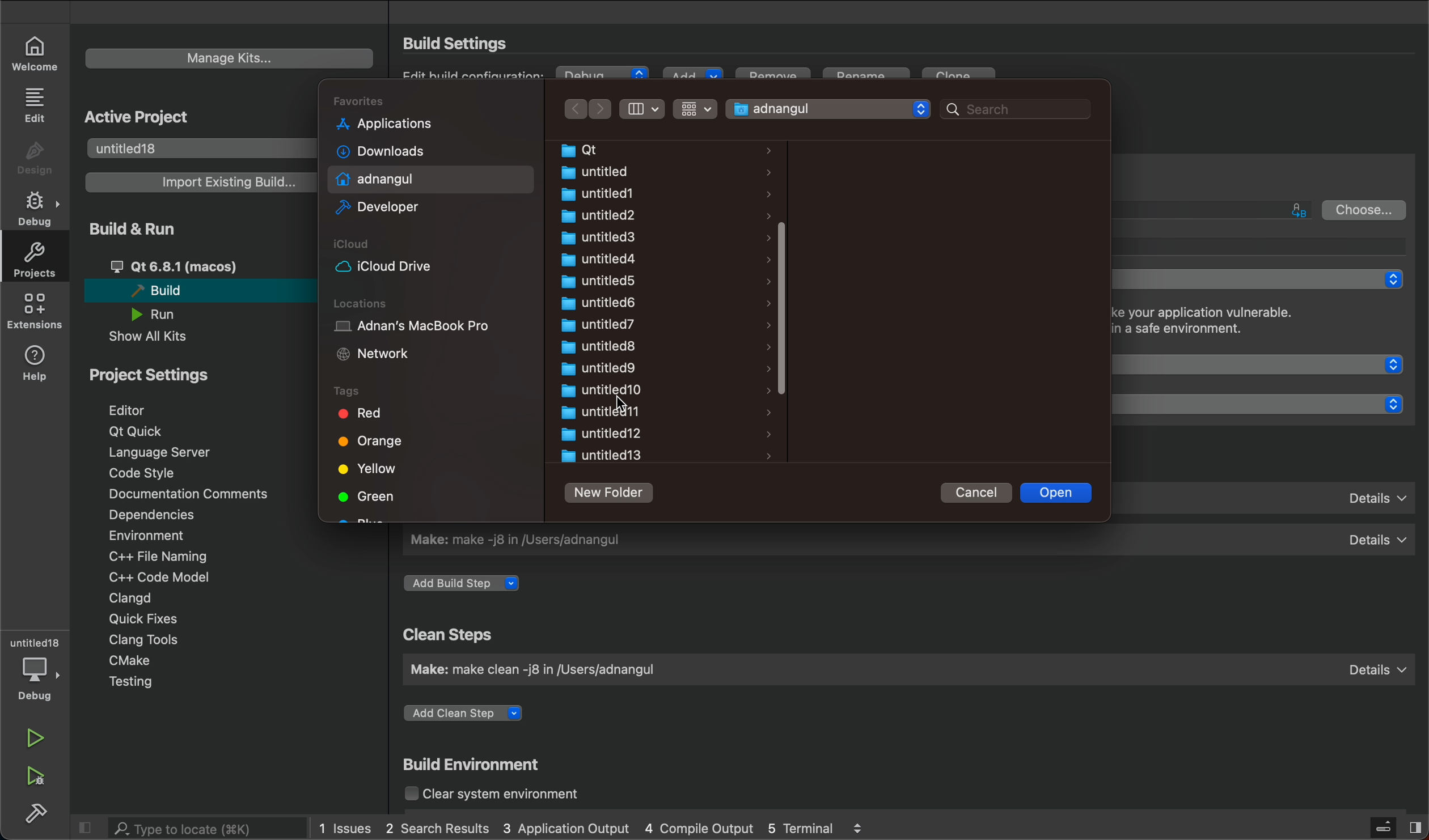 The width and height of the screenshot is (1429, 840). Describe the element at coordinates (137, 230) in the screenshot. I see `build and run` at that location.